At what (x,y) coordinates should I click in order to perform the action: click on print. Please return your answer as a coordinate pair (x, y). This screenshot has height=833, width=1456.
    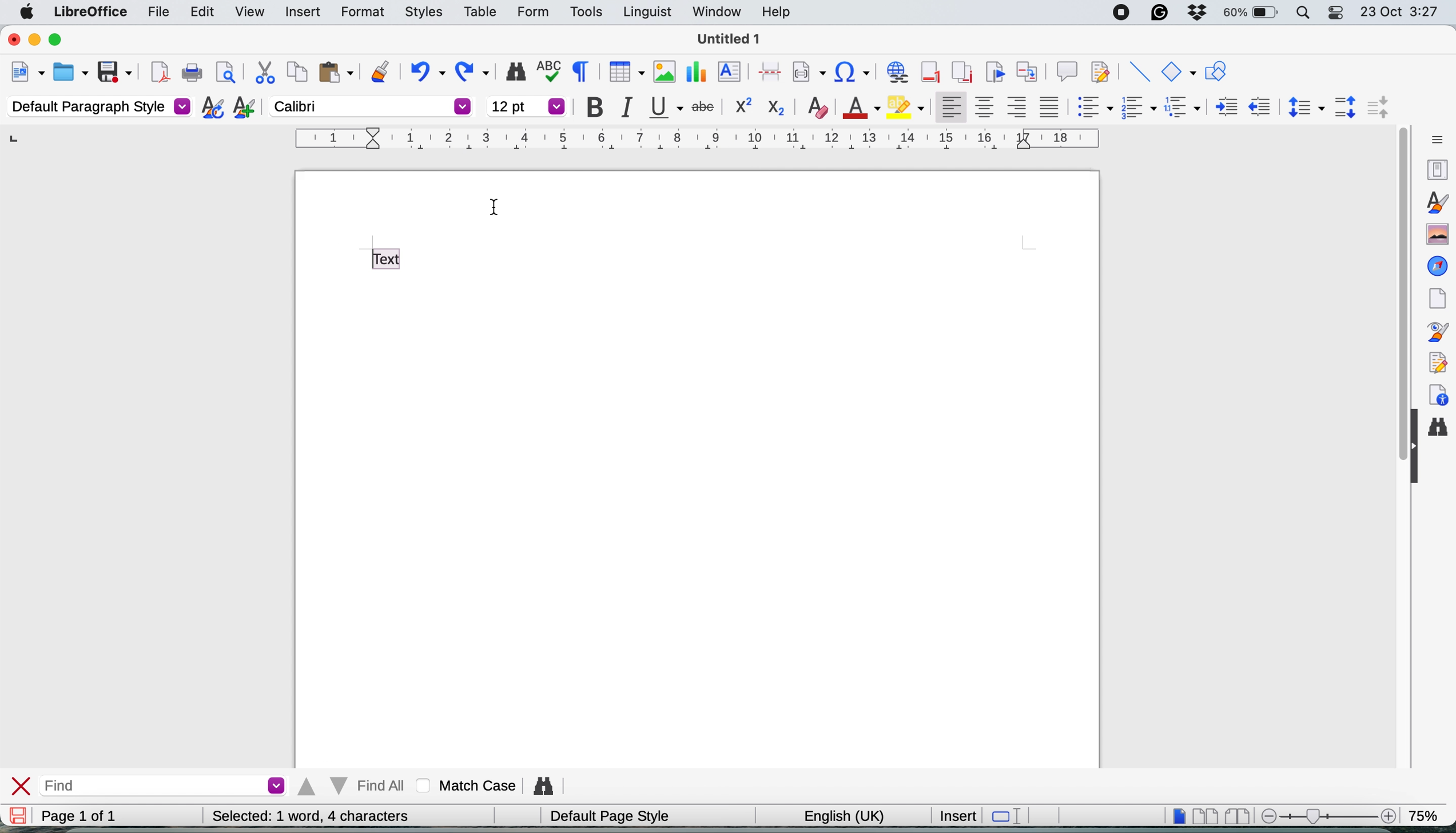
    Looking at the image, I should click on (191, 74).